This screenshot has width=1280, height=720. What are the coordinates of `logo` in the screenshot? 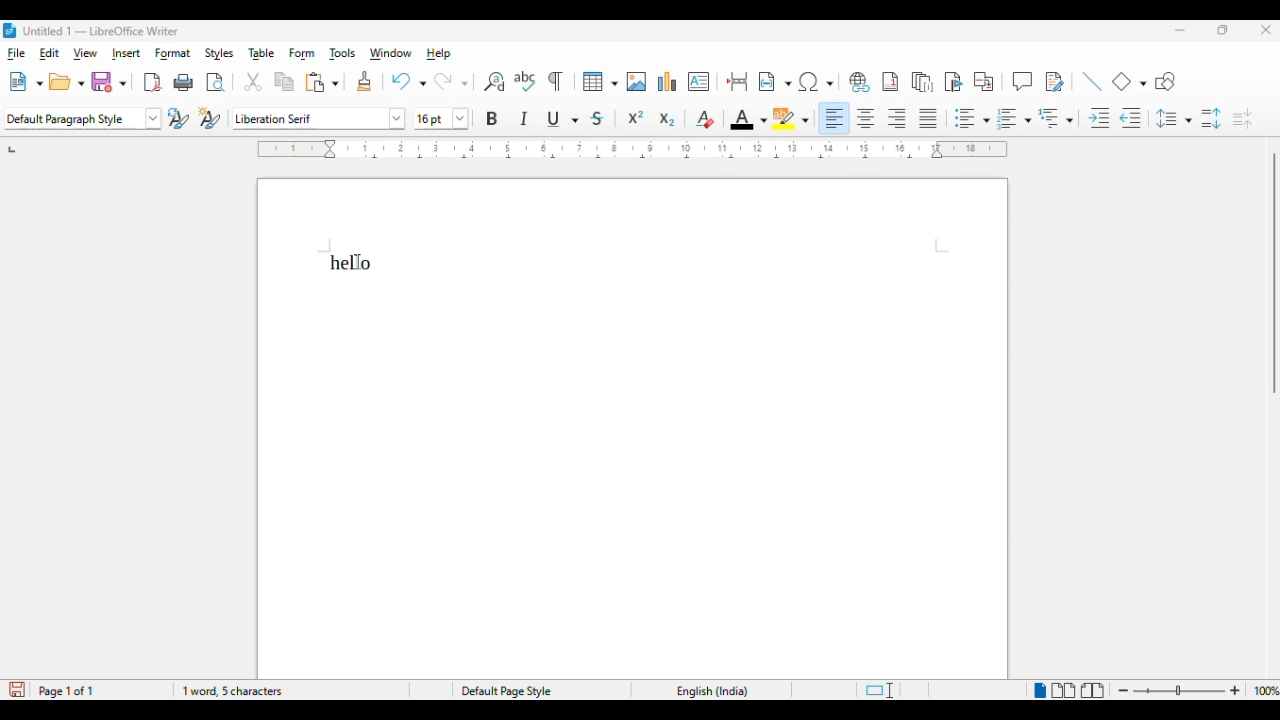 It's located at (10, 30).